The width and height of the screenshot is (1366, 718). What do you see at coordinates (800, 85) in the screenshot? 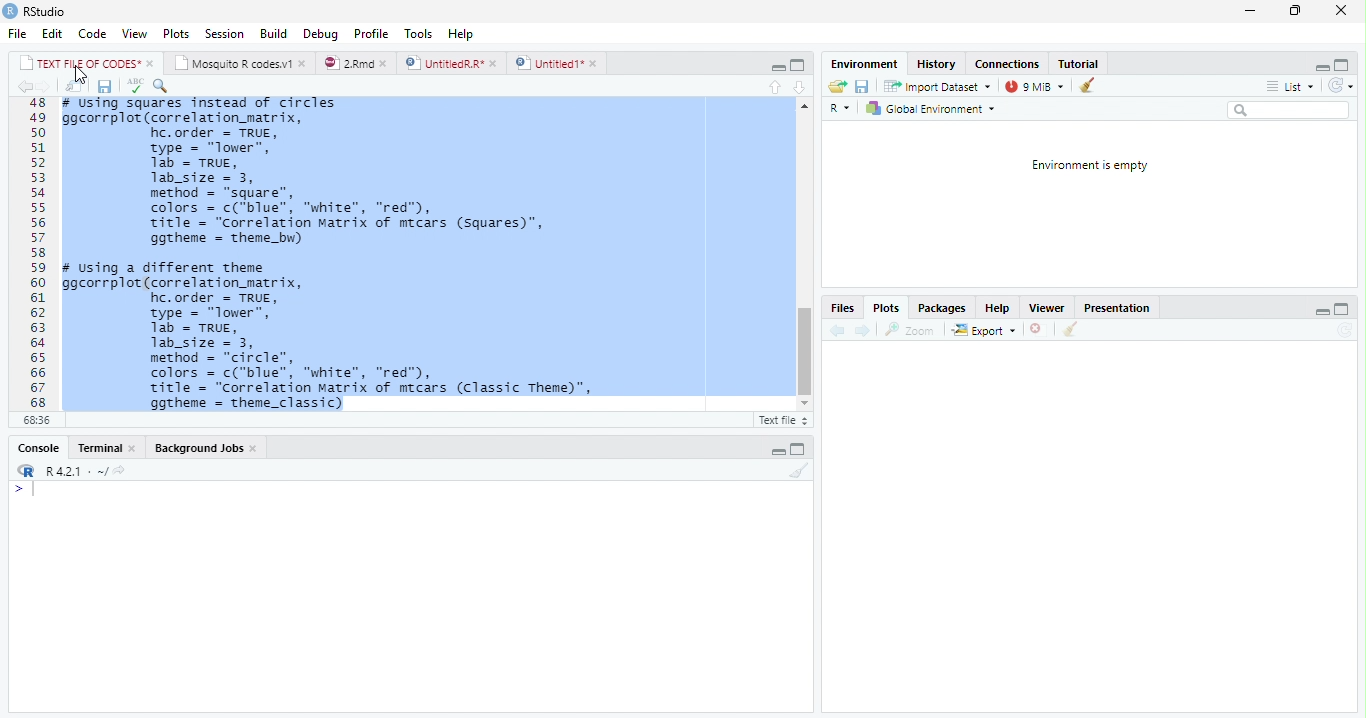
I see `go to next section/chunk` at bounding box center [800, 85].